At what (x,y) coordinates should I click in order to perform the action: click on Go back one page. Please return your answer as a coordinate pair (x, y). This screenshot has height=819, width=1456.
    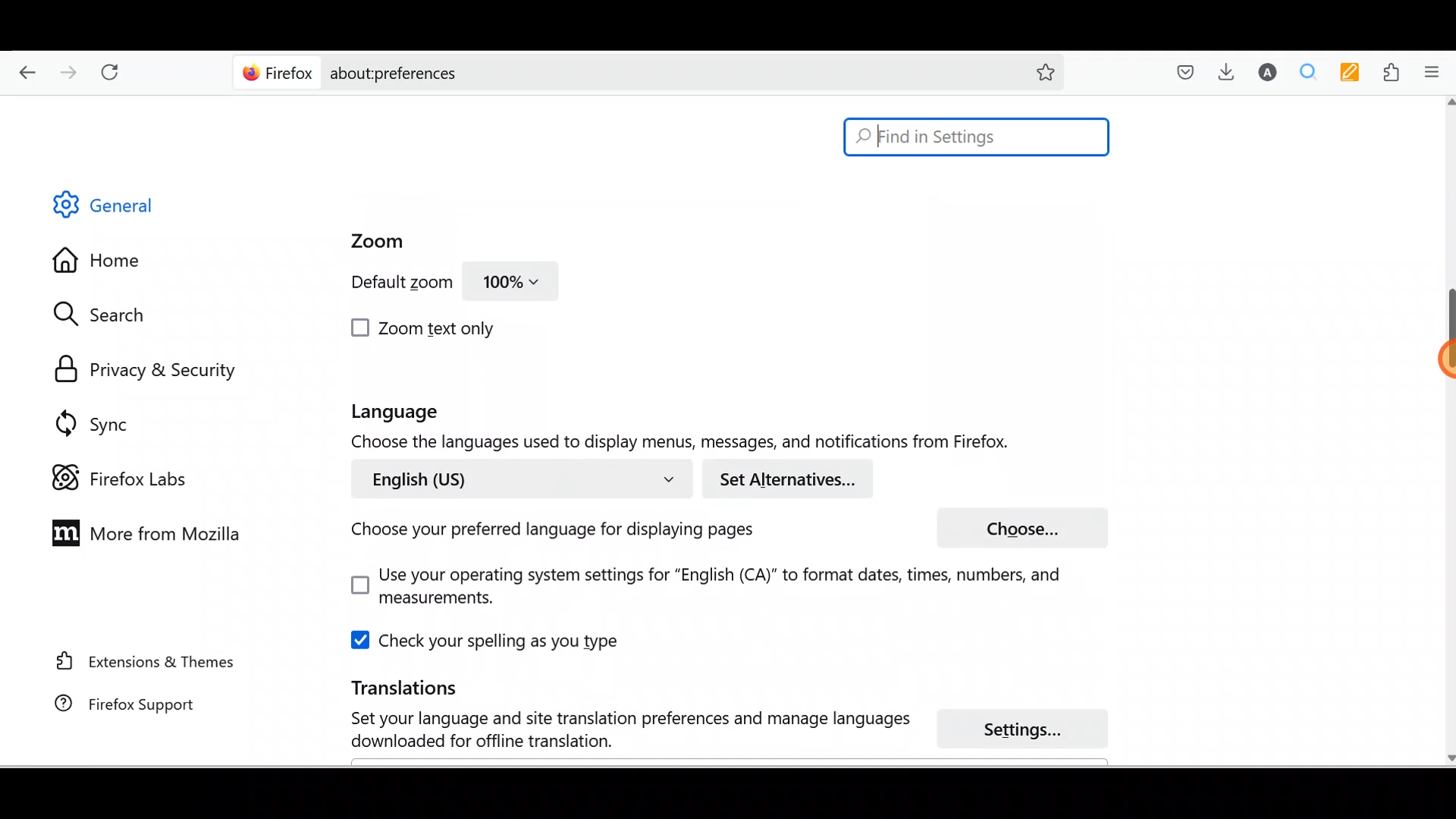
    Looking at the image, I should click on (21, 68).